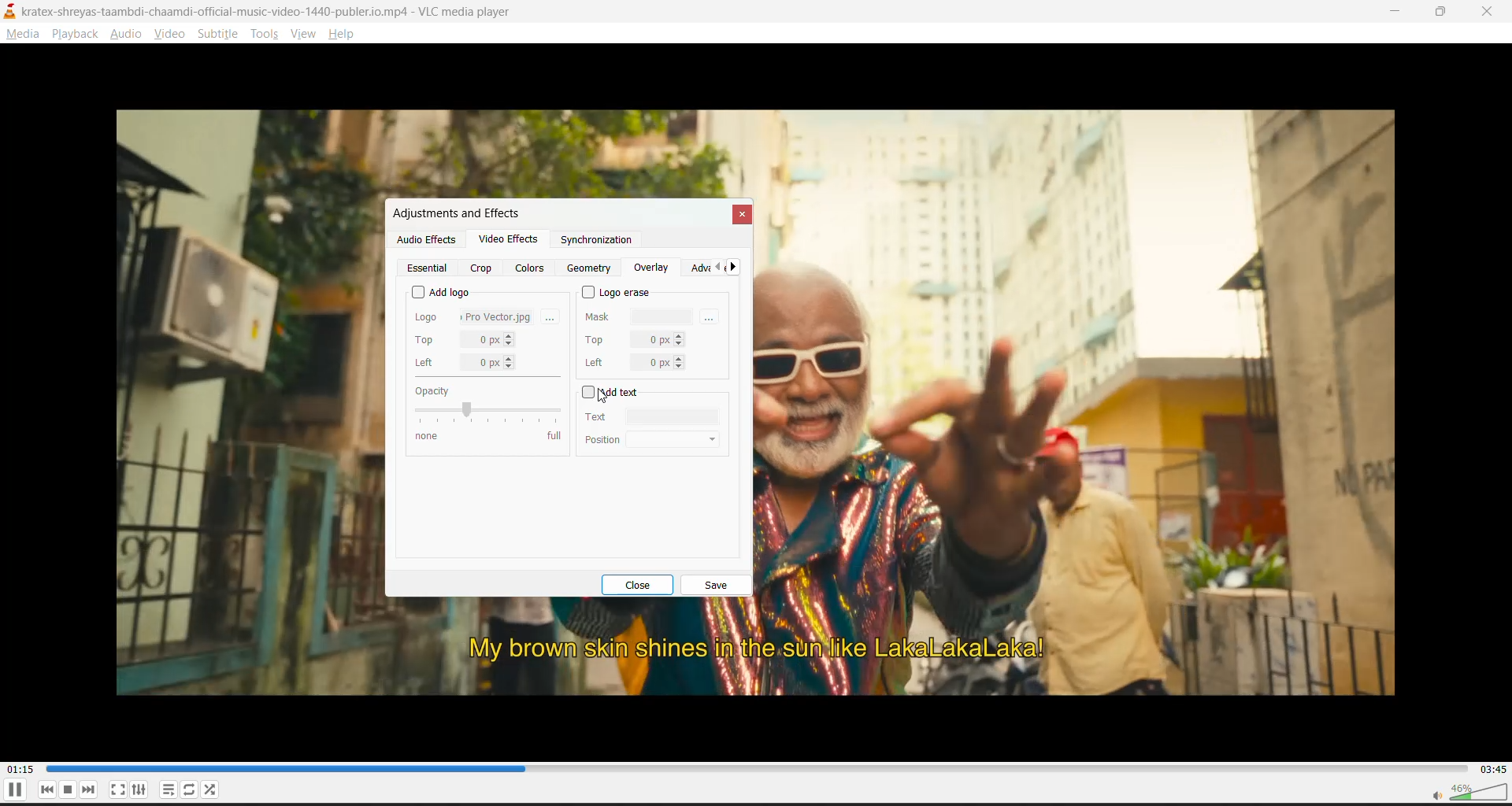 This screenshot has height=806, width=1512. Describe the element at coordinates (644, 585) in the screenshot. I see `close` at that location.